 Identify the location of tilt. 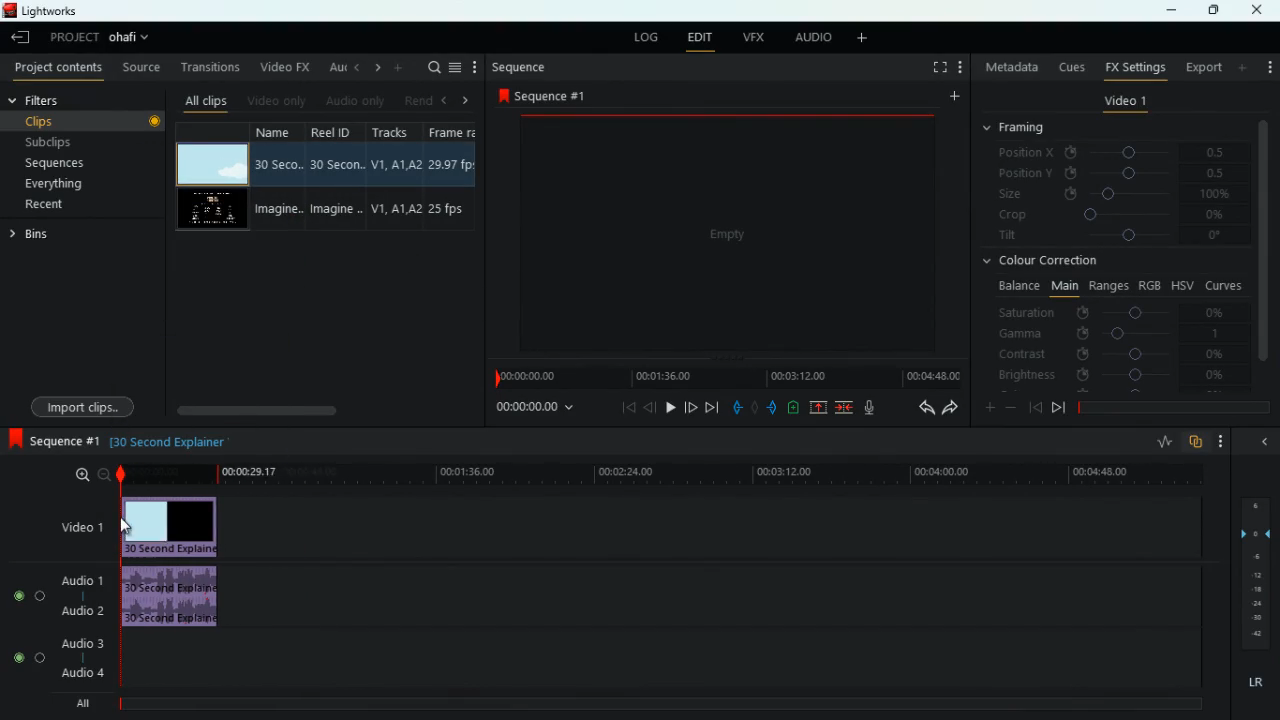
(1112, 238).